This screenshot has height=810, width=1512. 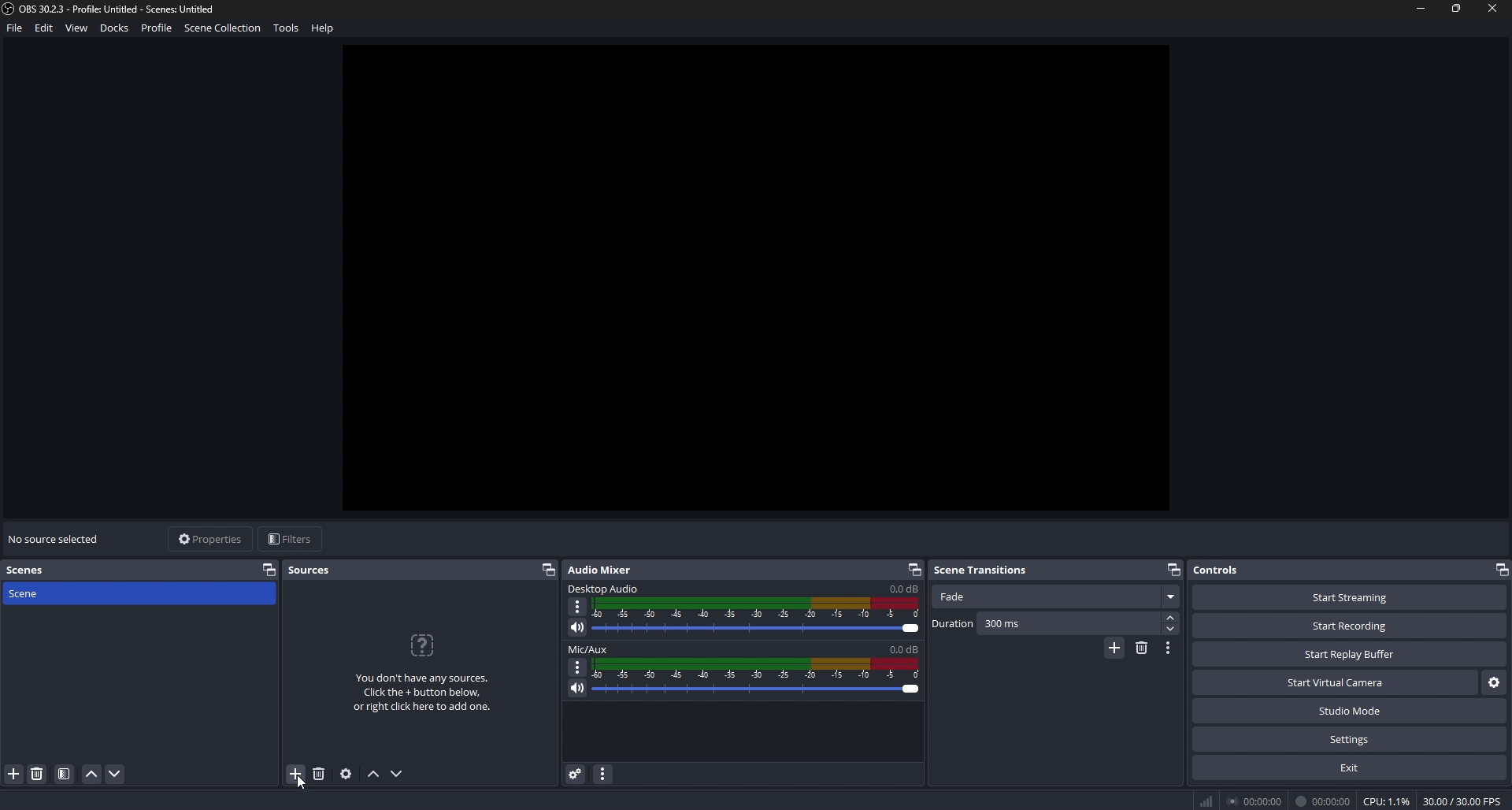 I want to click on file, so click(x=16, y=28).